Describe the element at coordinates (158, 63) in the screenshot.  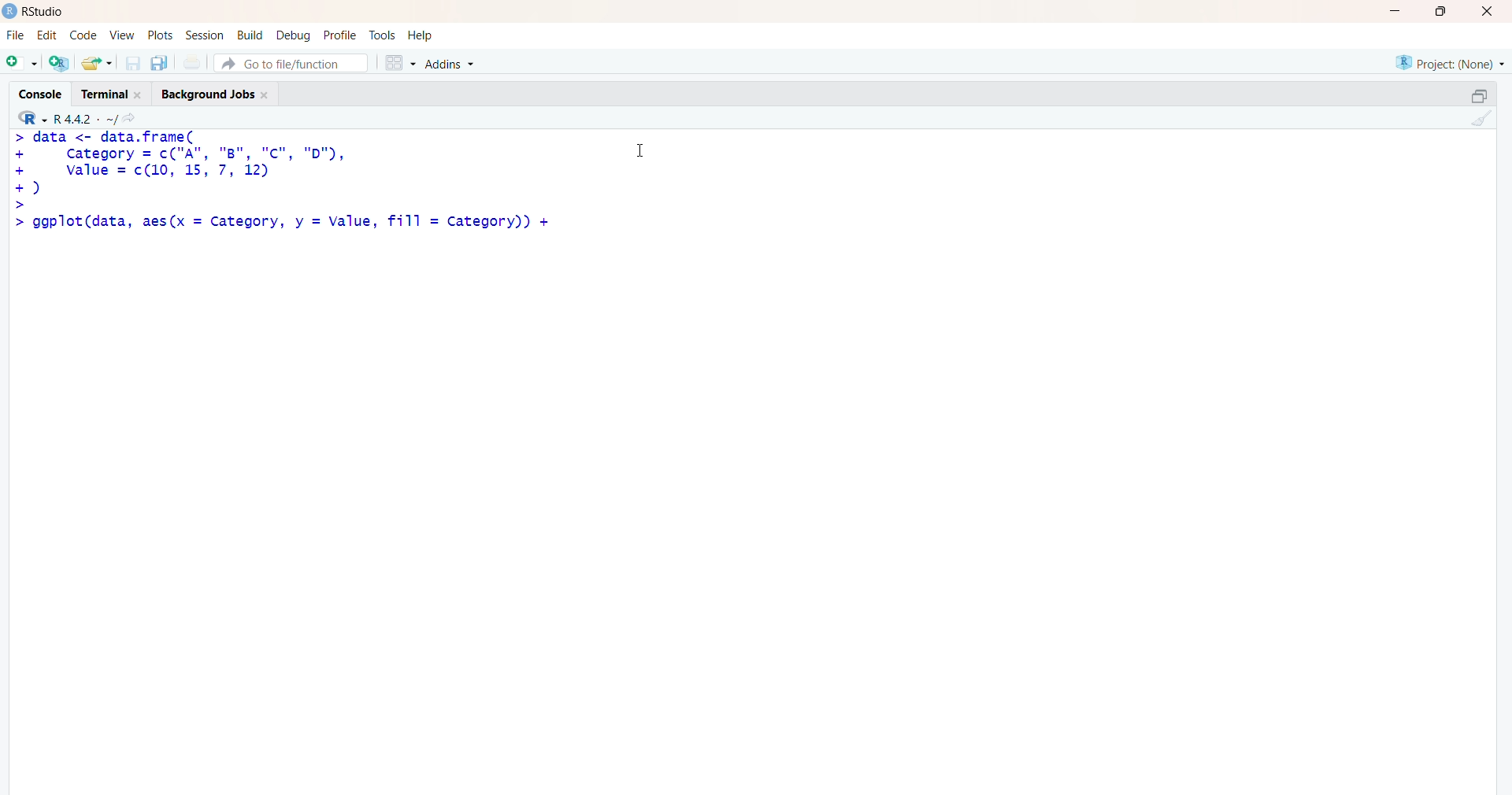
I see `save all open documents` at that location.